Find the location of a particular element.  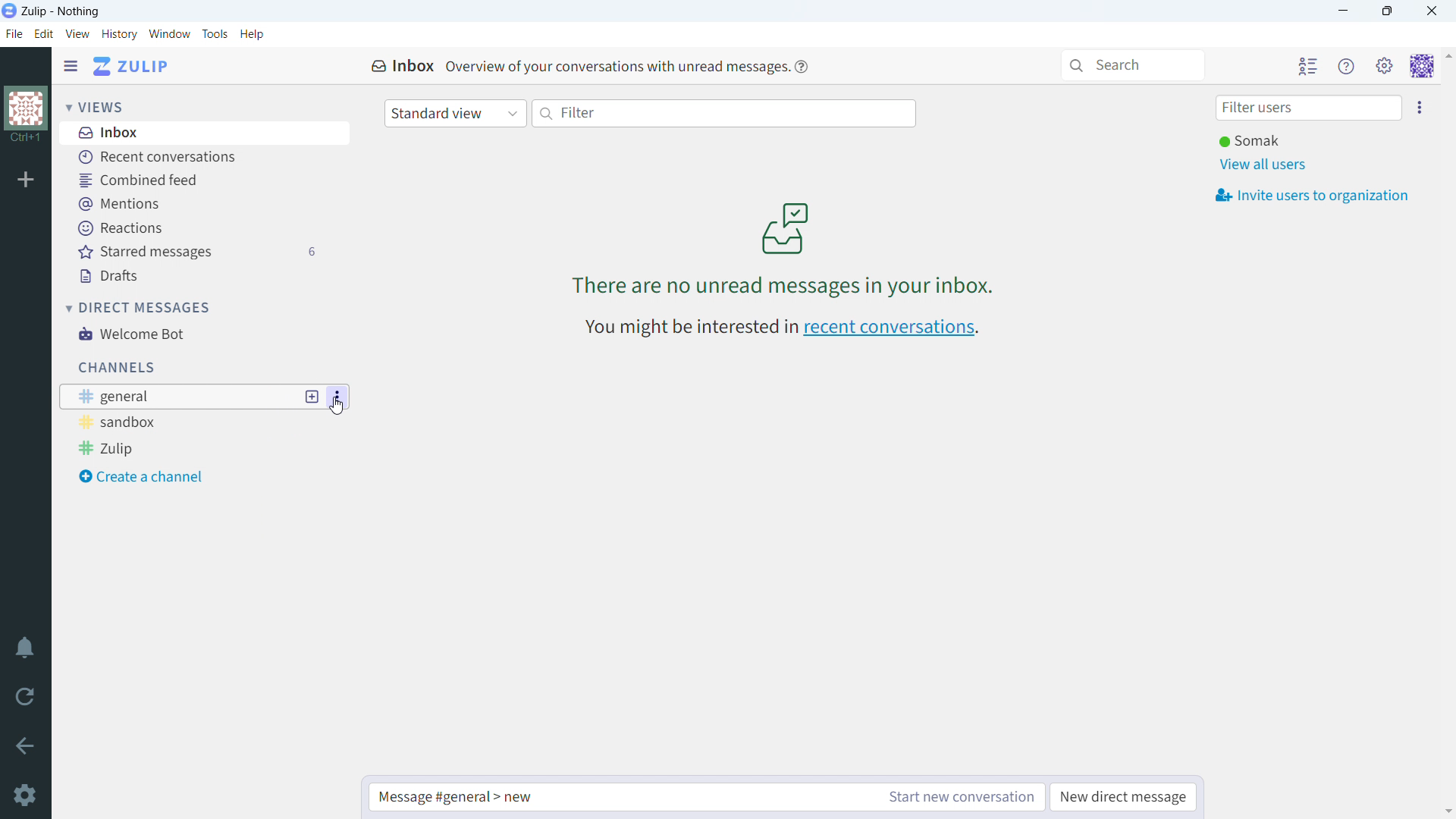

go to home view is located at coordinates (132, 66).